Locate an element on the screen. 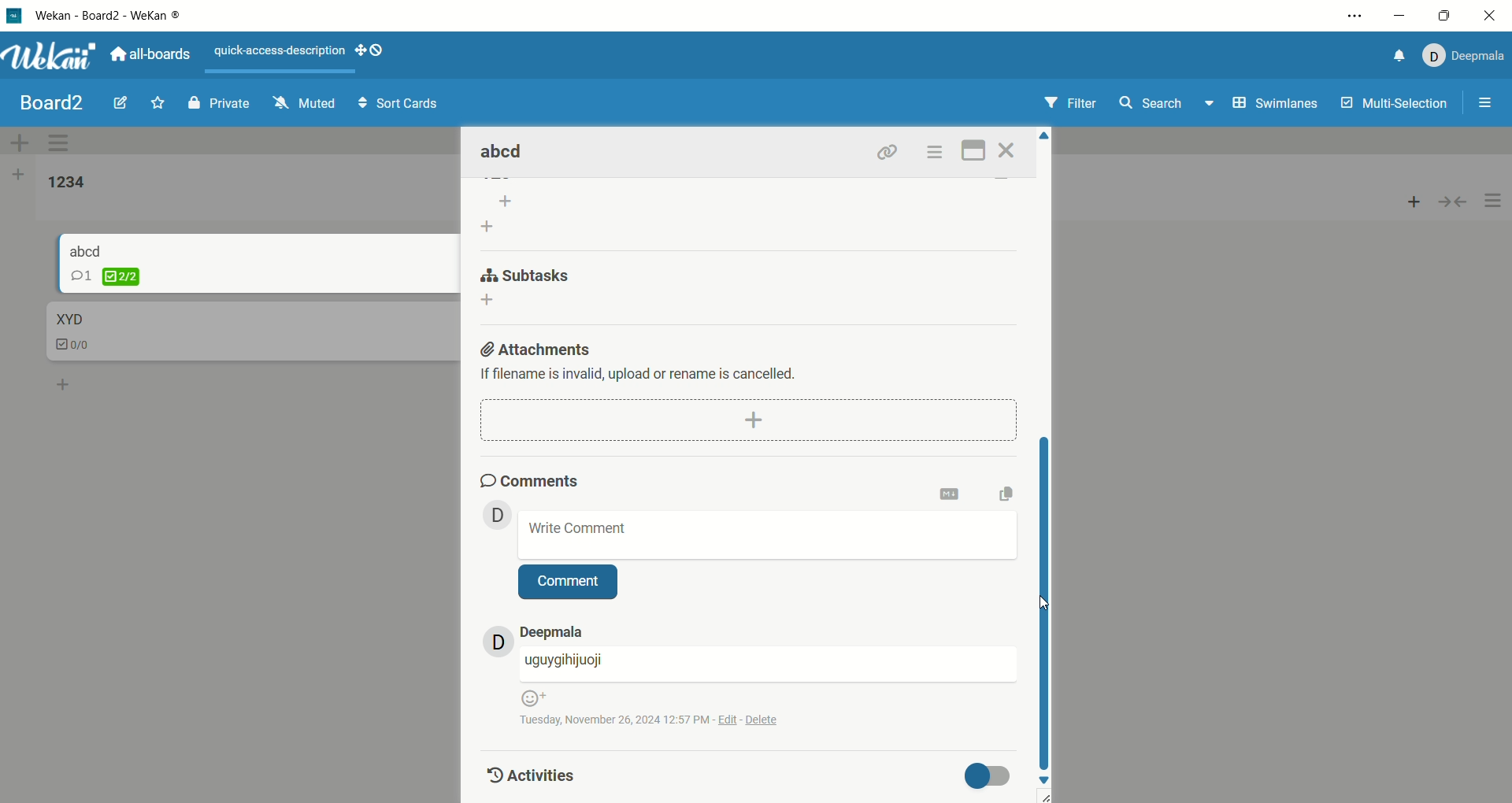 This screenshot has height=803, width=1512. favorite is located at coordinates (159, 102).